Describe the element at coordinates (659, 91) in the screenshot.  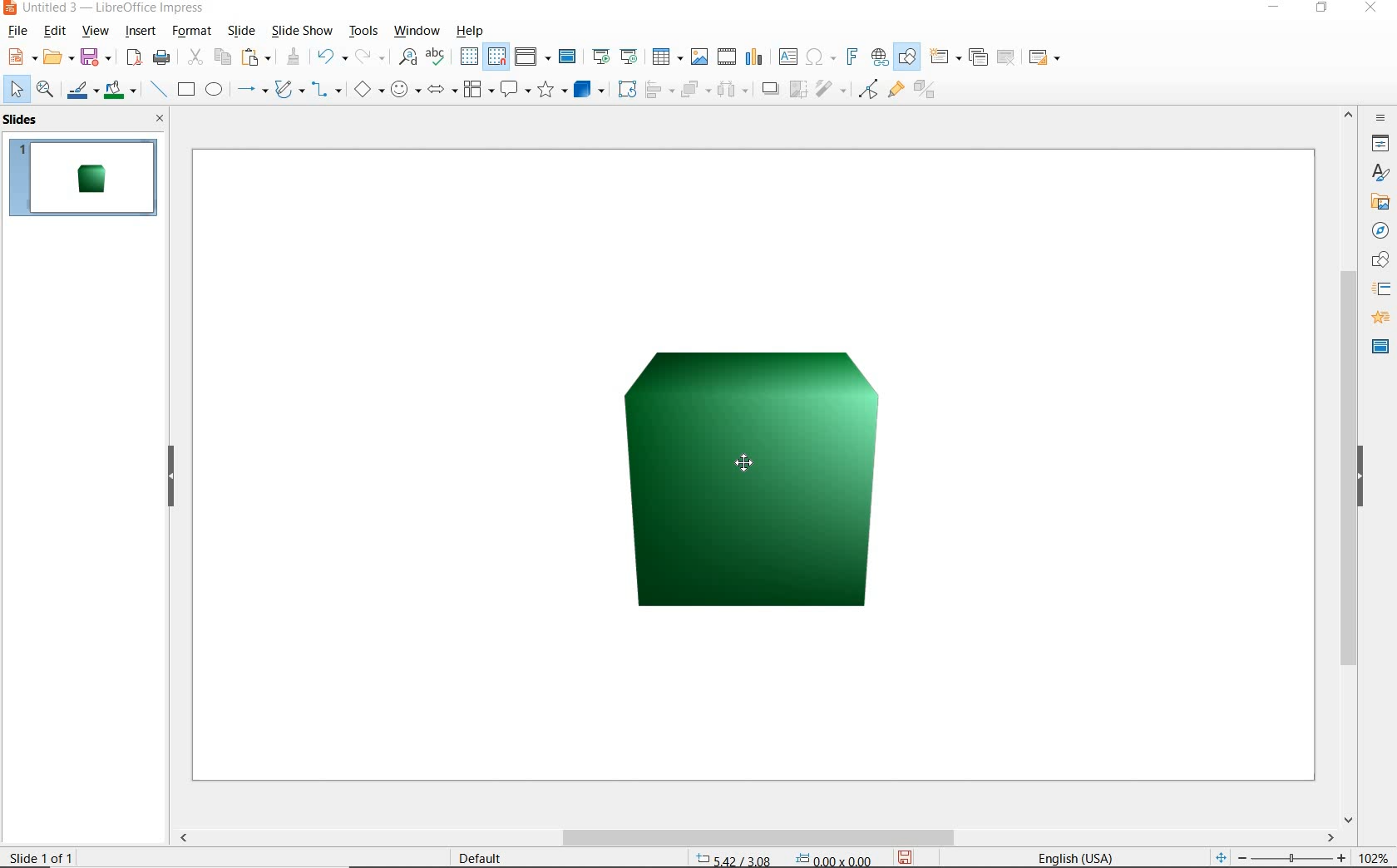
I see `ALIGN OBJECTS` at that location.